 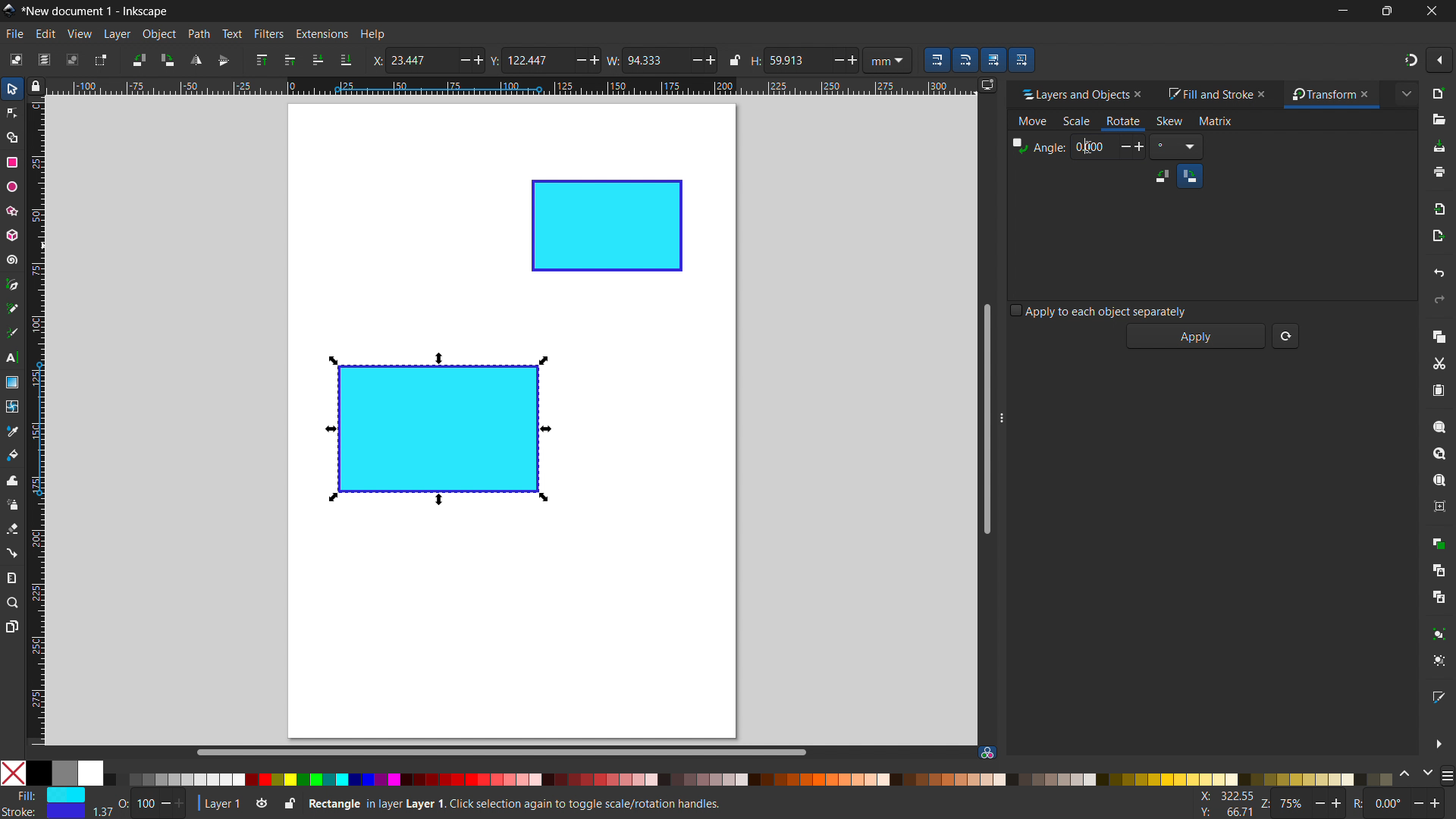 I want to click on horizontal scrollbar, so click(x=499, y=752).